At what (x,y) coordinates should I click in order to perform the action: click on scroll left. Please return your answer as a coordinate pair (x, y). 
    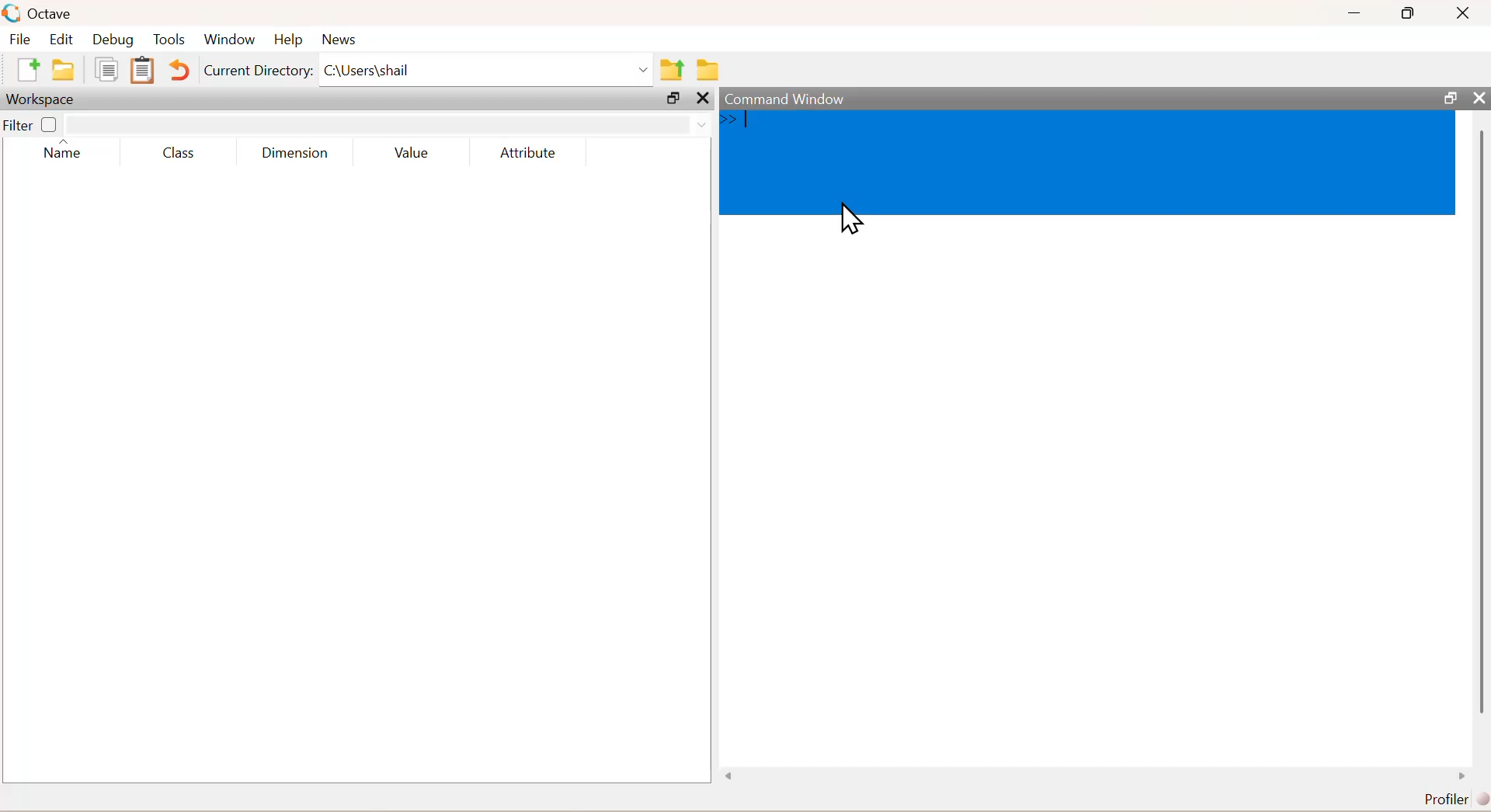
    Looking at the image, I should click on (730, 776).